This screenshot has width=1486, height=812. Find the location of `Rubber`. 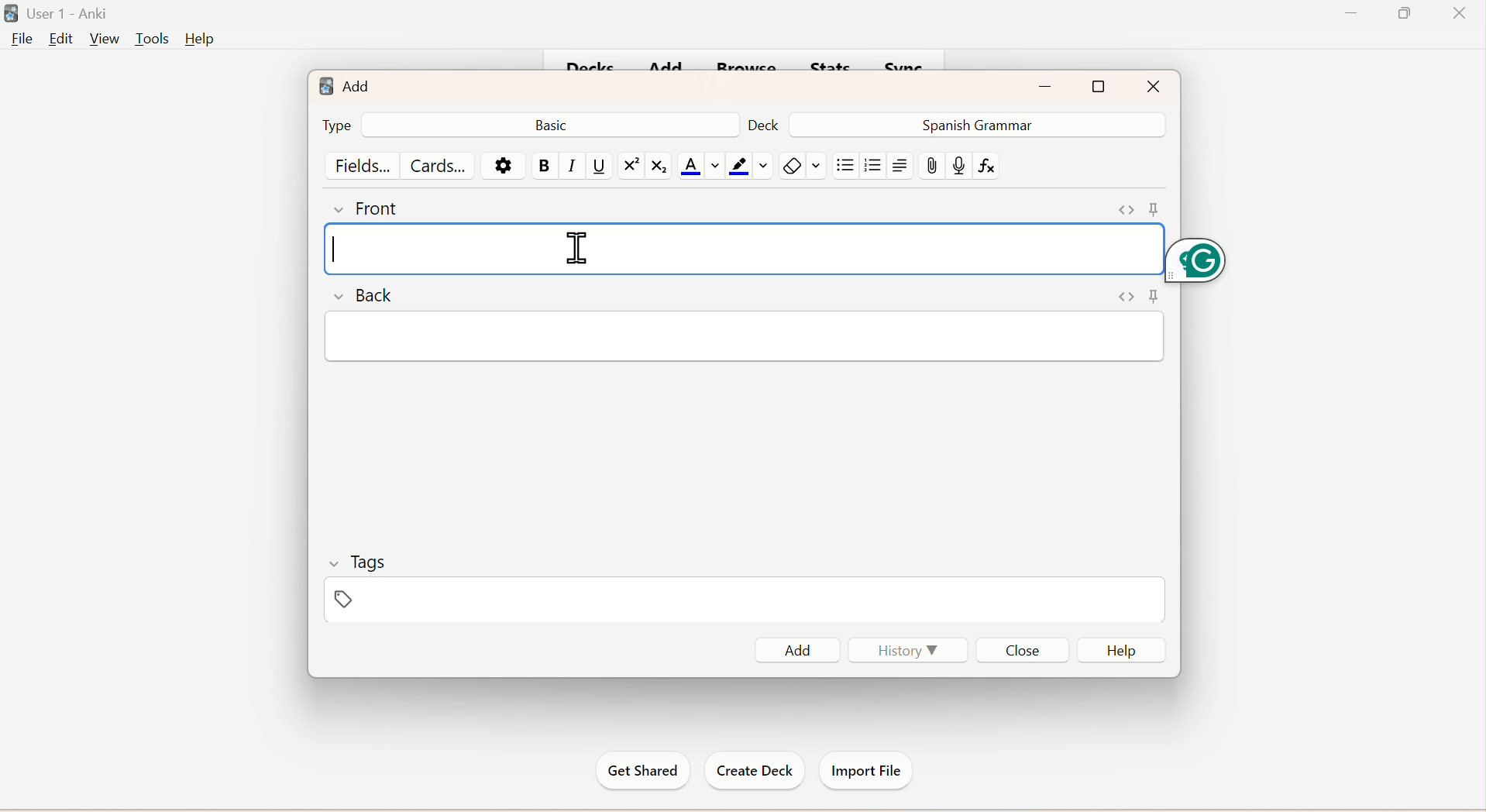

Rubber is located at coordinates (805, 167).